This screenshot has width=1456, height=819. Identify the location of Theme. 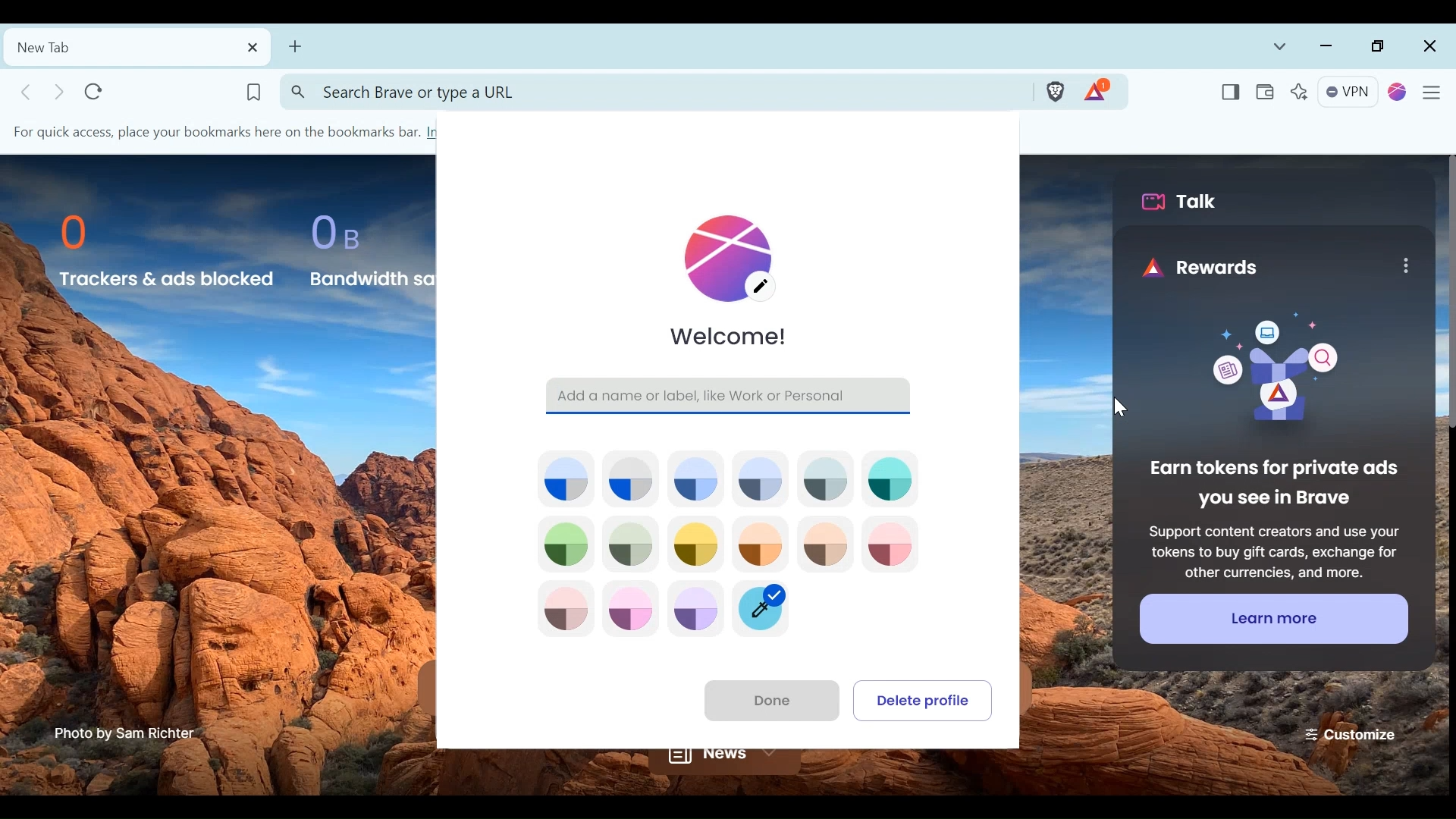
(760, 477).